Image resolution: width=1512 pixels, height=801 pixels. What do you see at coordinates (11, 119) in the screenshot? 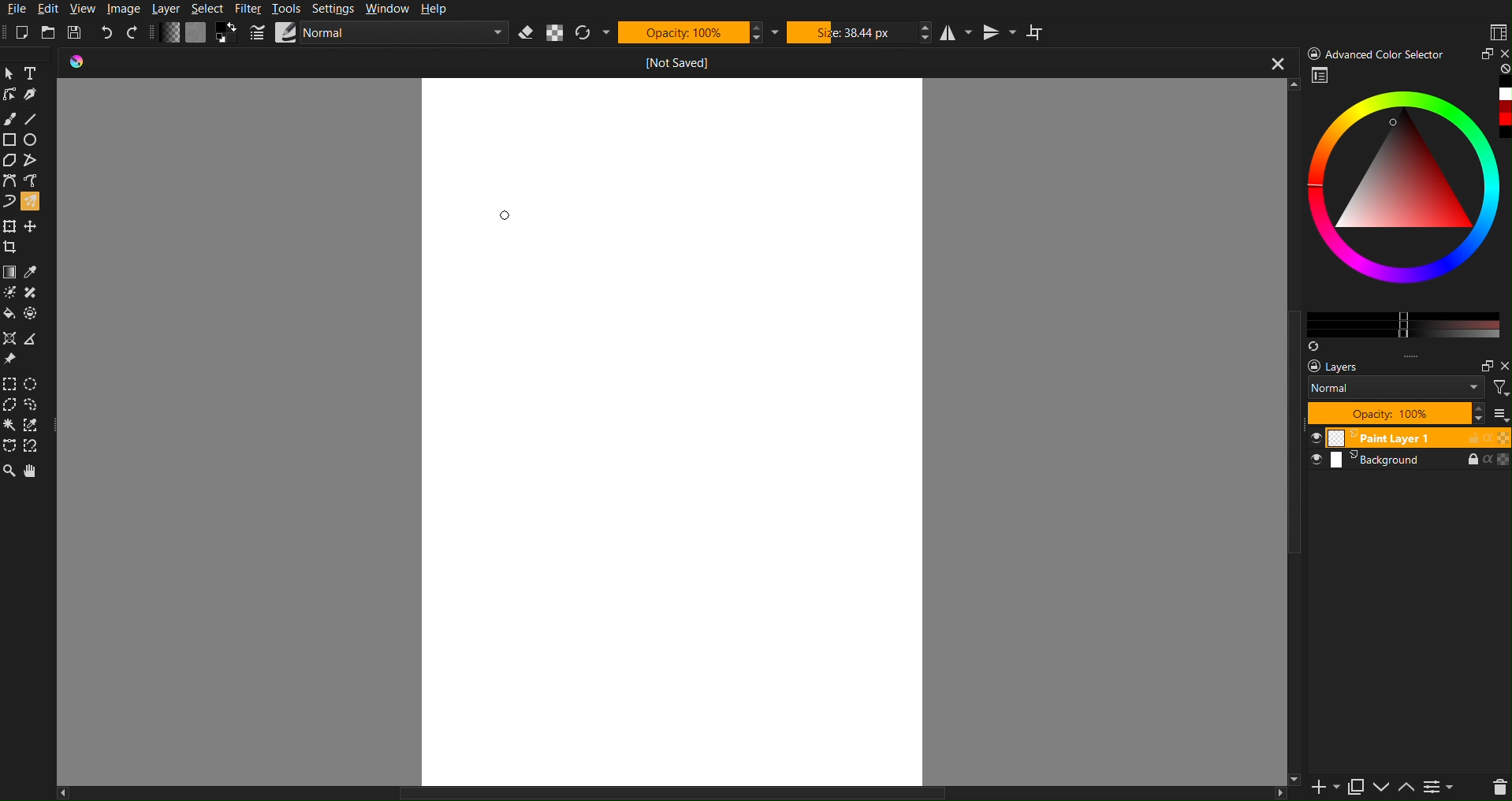
I see `Brush` at bounding box center [11, 119].